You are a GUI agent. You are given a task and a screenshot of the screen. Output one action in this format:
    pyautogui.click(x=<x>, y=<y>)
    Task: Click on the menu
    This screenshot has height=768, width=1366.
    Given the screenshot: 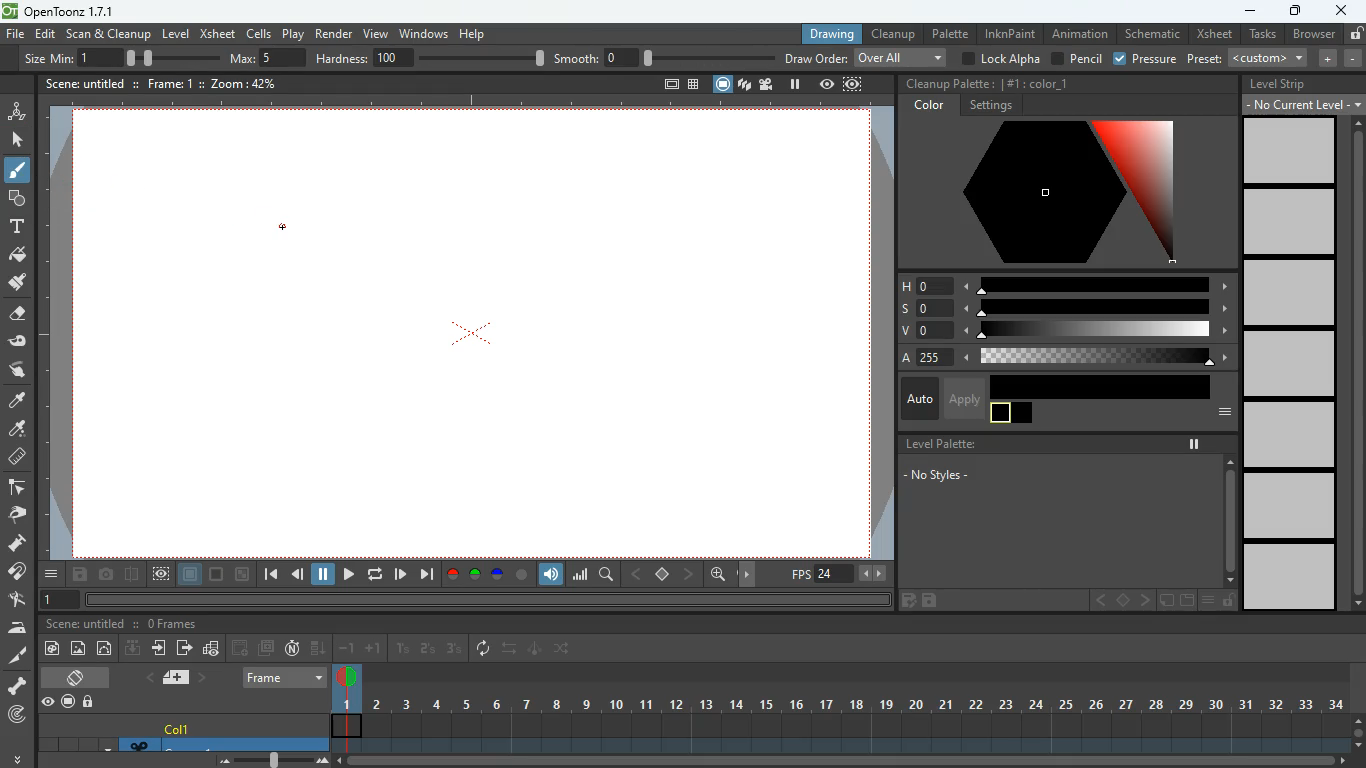 What is the action you would take?
    pyautogui.click(x=53, y=574)
    